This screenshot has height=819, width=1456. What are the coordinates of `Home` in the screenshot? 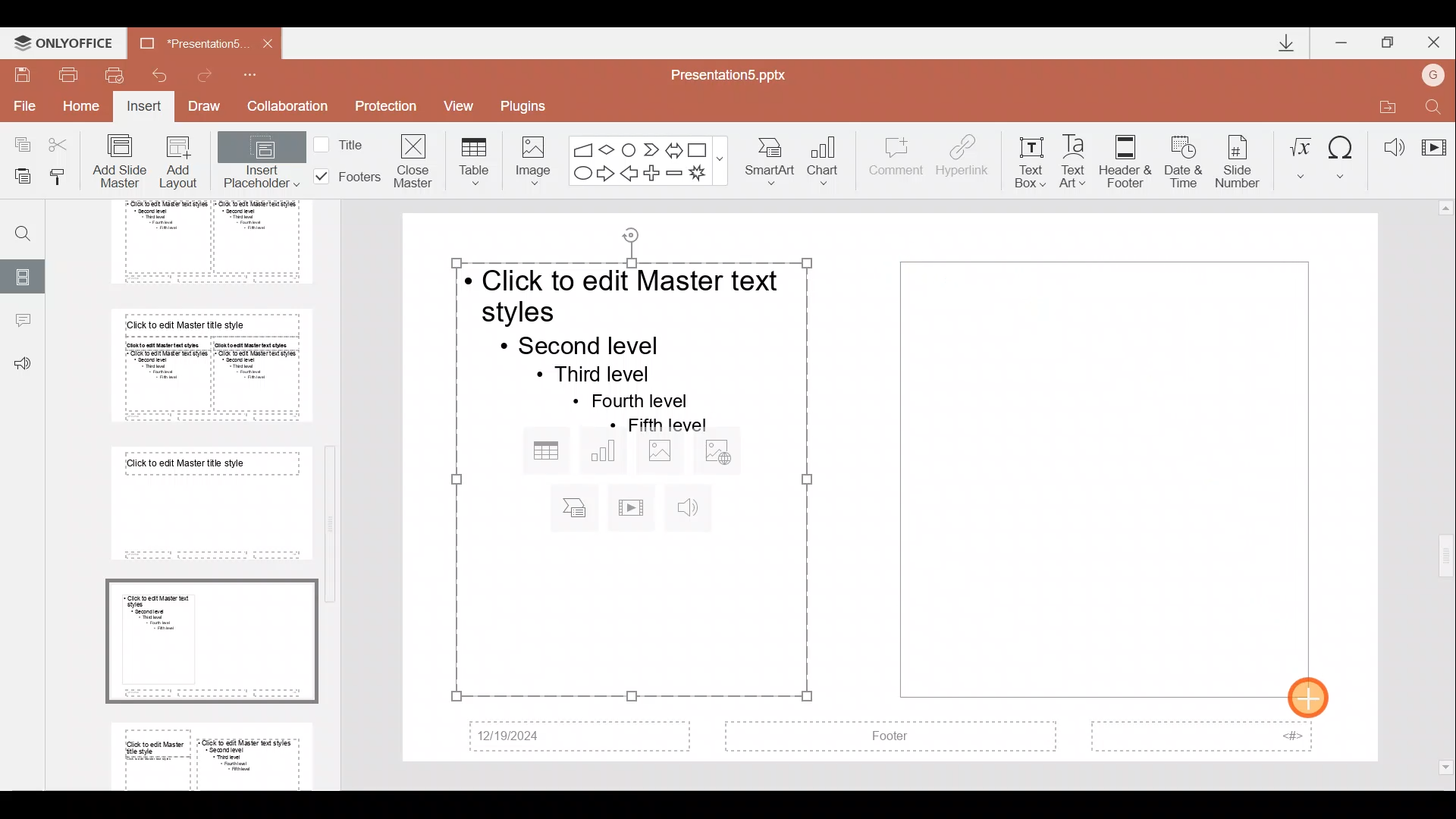 It's located at (83, 110).